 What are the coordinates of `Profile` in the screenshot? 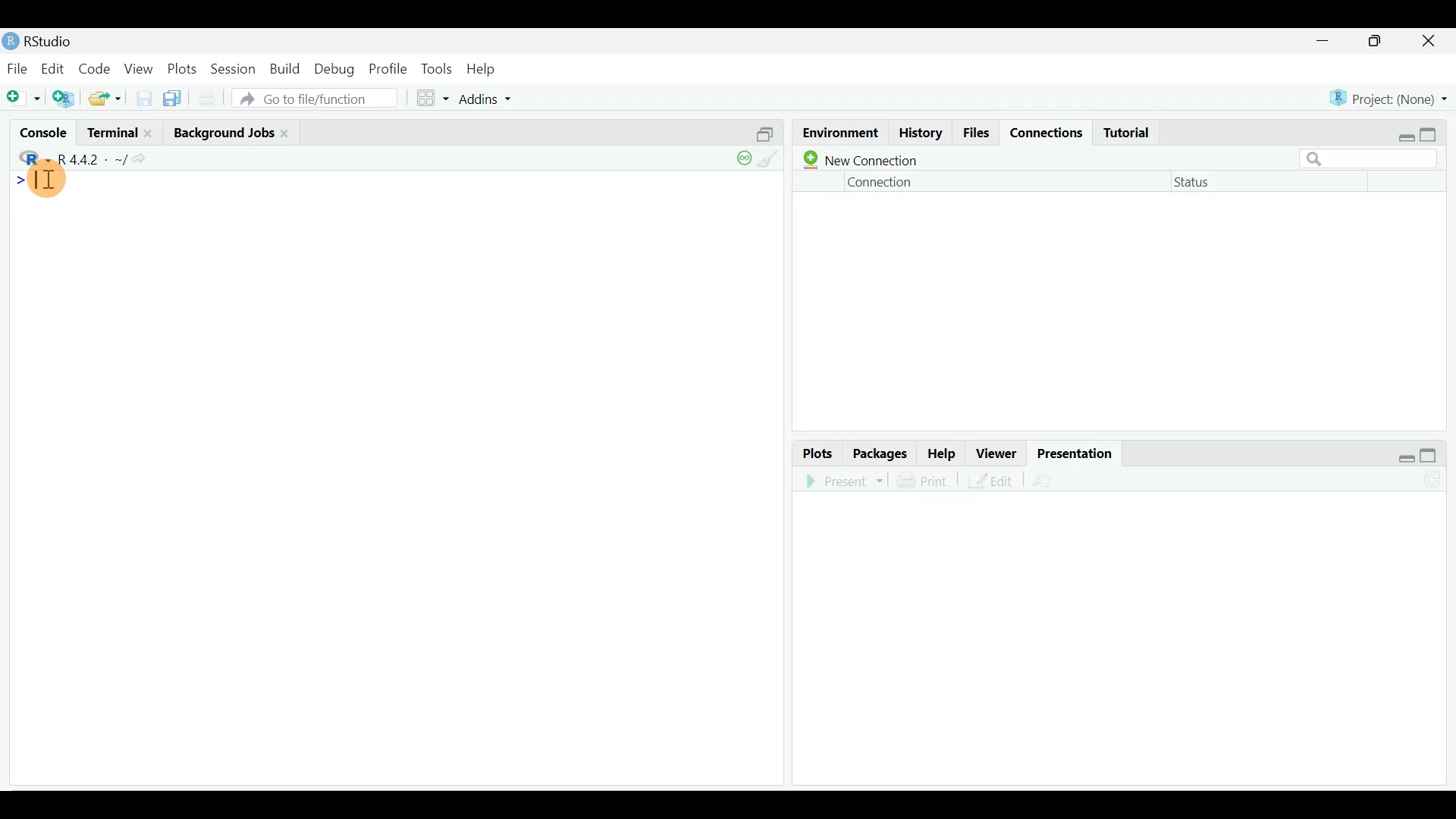 It's located at (388, 67).